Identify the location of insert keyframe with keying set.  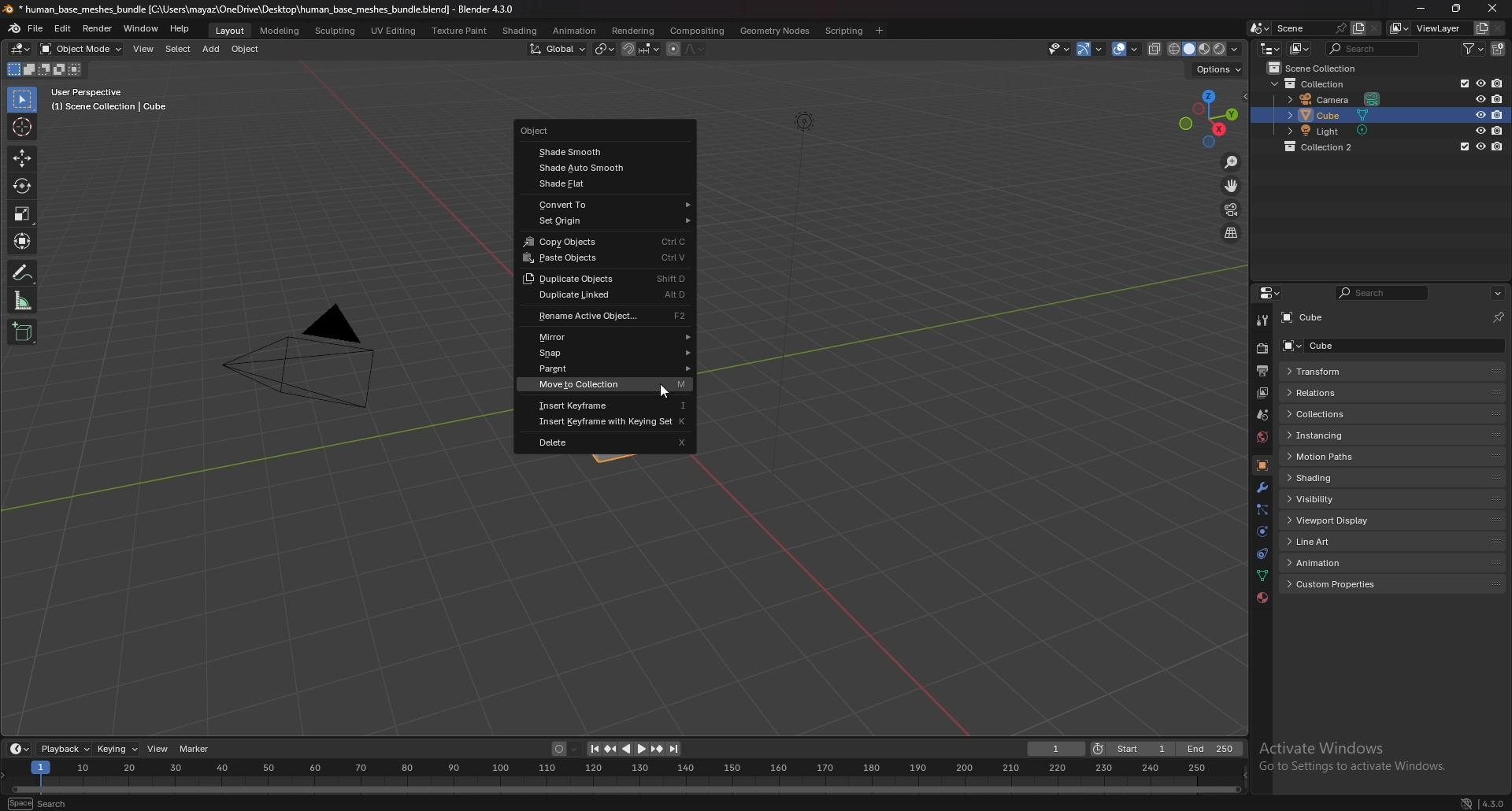
(606, 422).